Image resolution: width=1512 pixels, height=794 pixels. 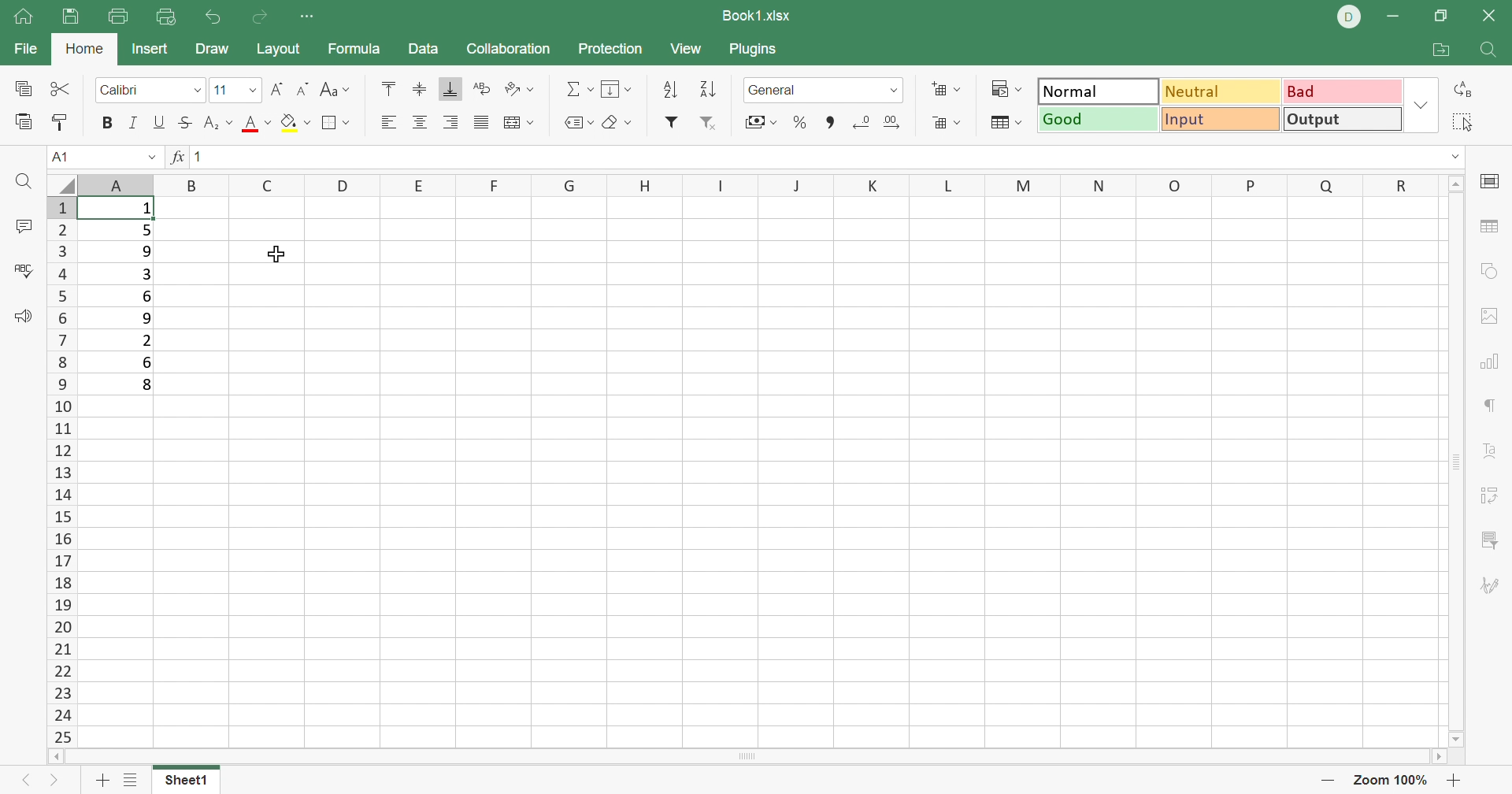 What do you see at coordinates (1455, 781) in the screenshot?
I see `Zoom in` at bounding box center [1455, 781].